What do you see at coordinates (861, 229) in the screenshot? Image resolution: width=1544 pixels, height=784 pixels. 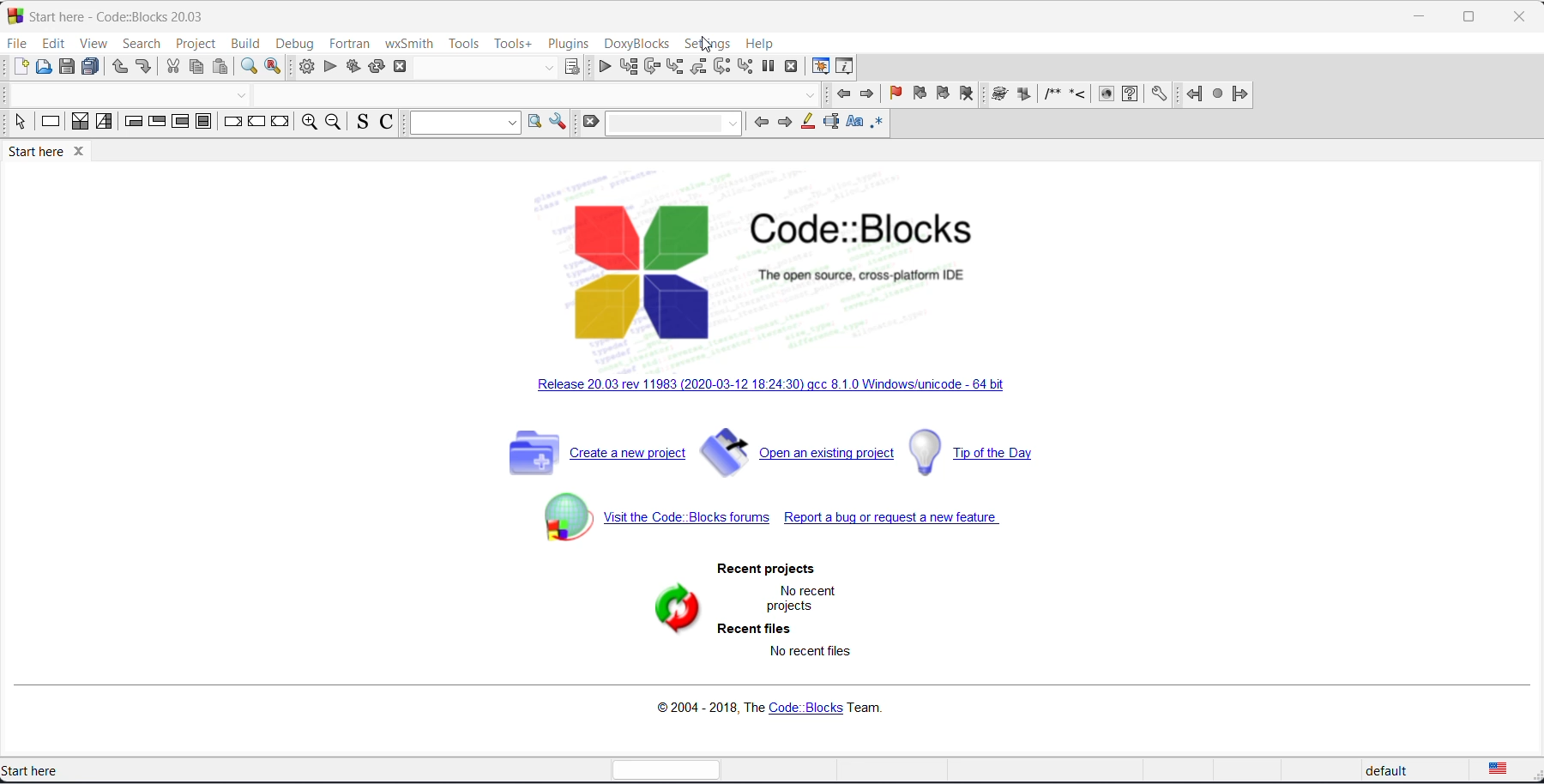 I see `Code::Blocks` at bounding box center [861, 229].